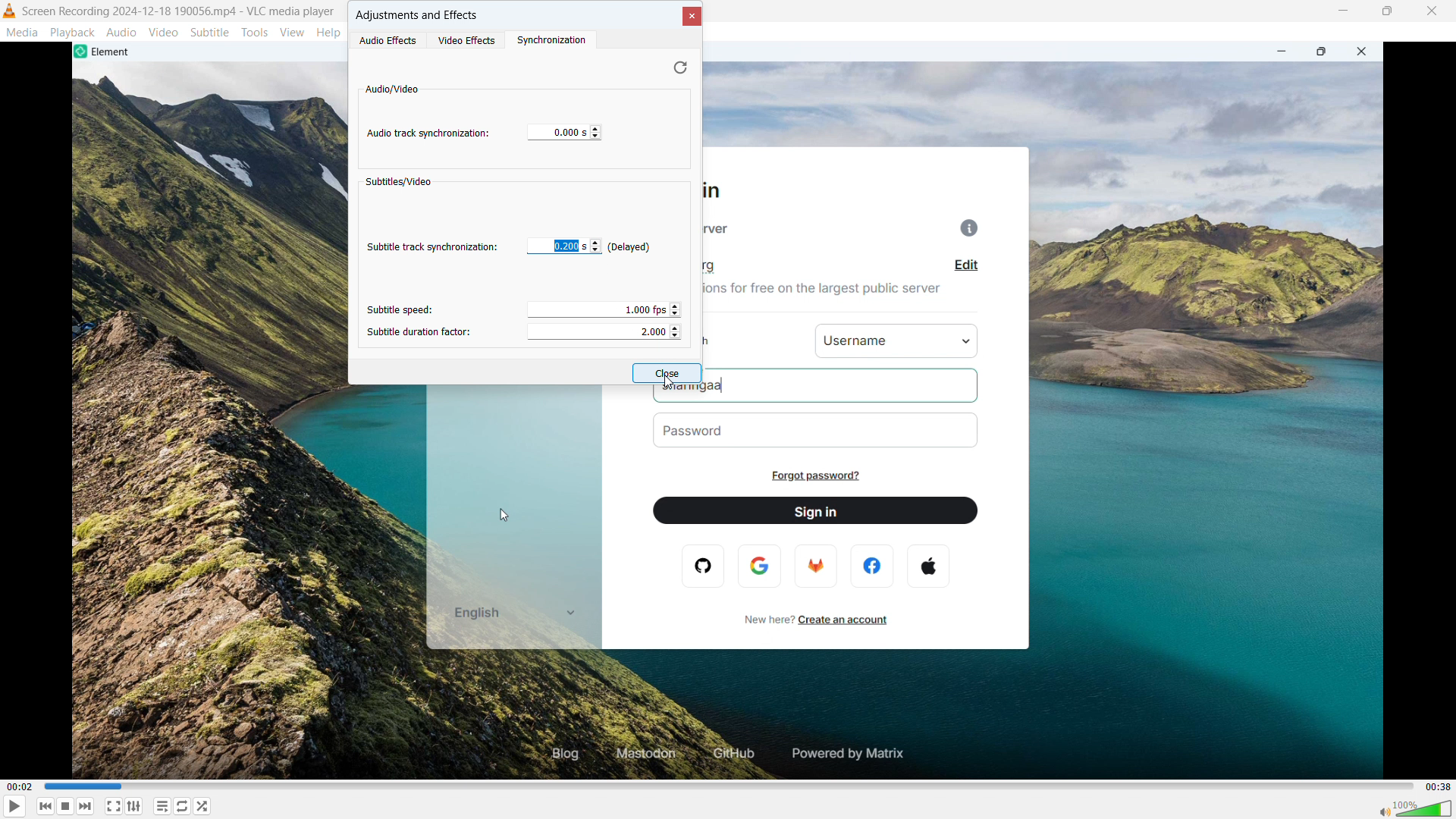 The height and width of the screenshot is (819, 1456). What do you see at coordinates (830, 295) in the screenshot?
I see `join millions for free on the largest public server.` at bounding box center [830, 295].